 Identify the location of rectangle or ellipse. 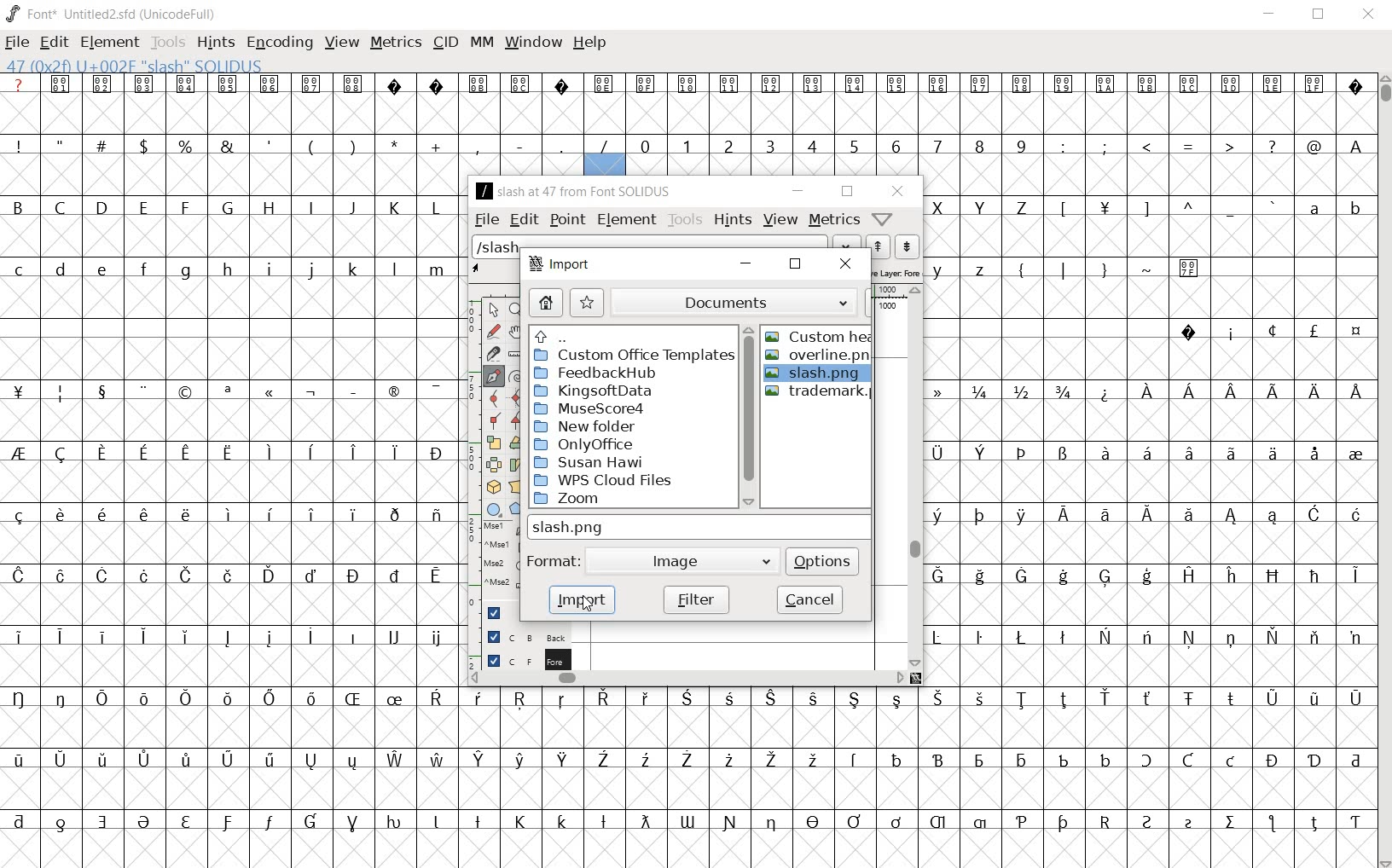
(493, 511).